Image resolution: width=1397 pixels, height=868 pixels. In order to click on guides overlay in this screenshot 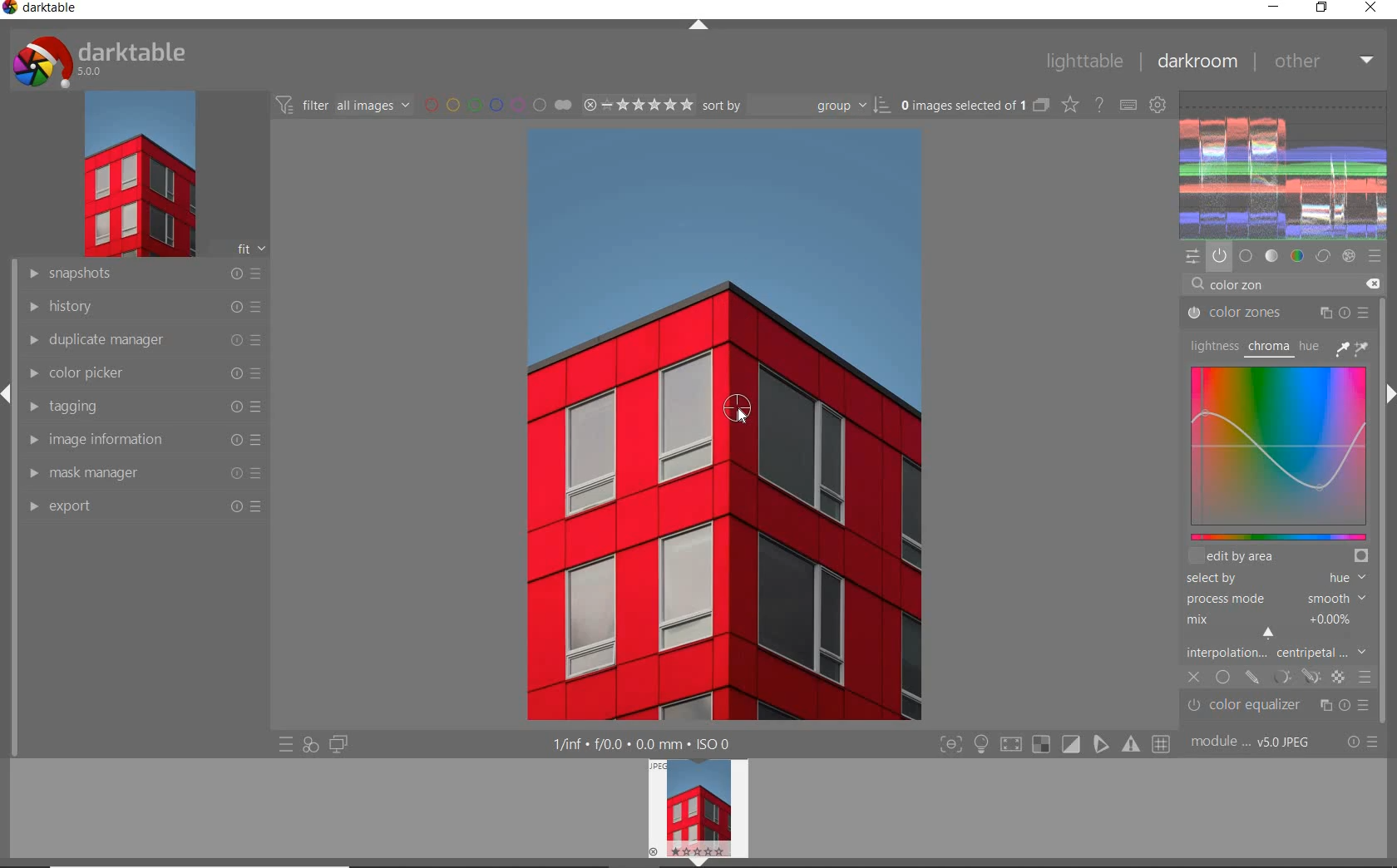, I will do `click(1100, 745)`.